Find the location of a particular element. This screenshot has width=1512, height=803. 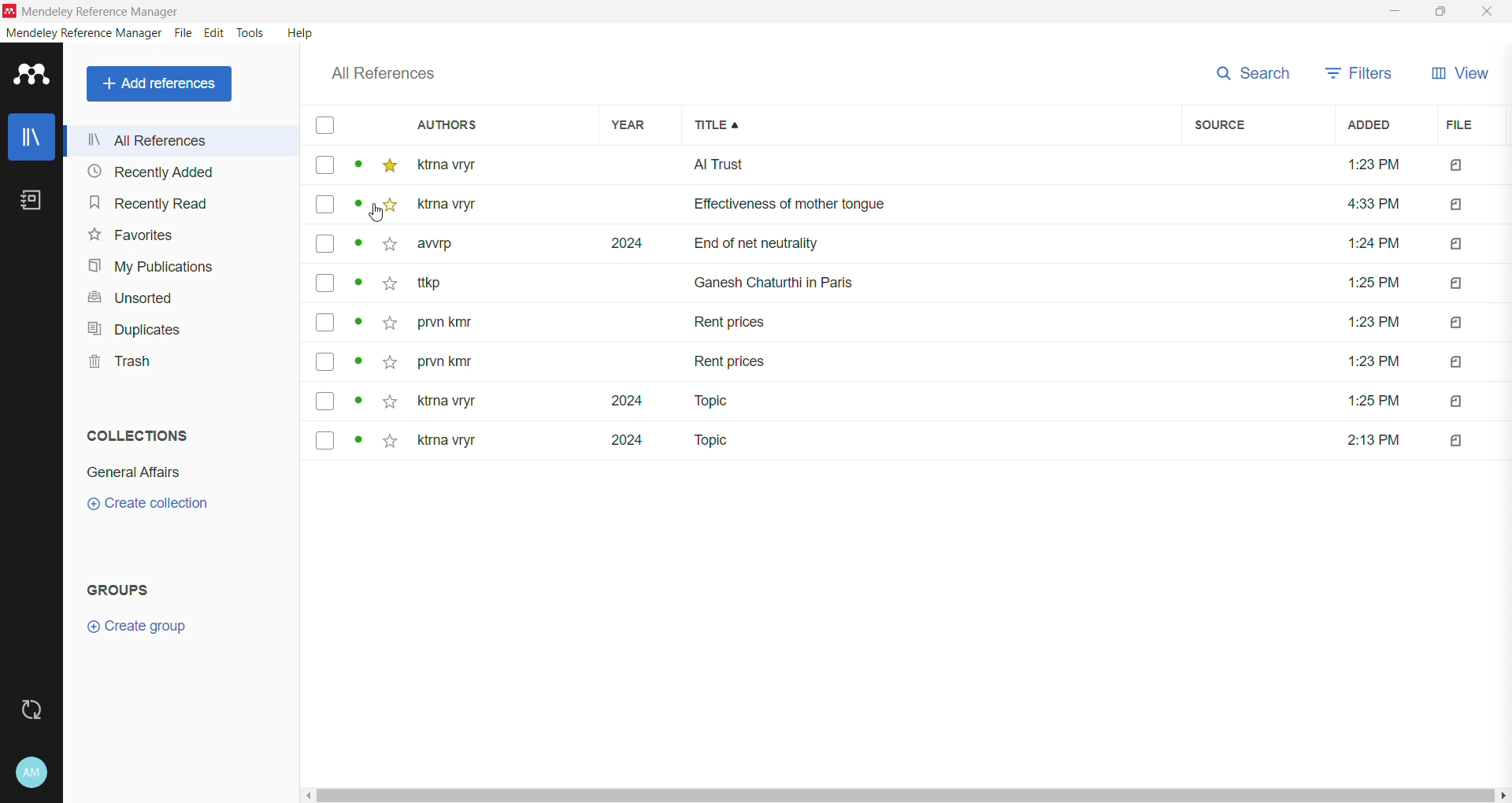

dot  is located at coordinates (360, 287).